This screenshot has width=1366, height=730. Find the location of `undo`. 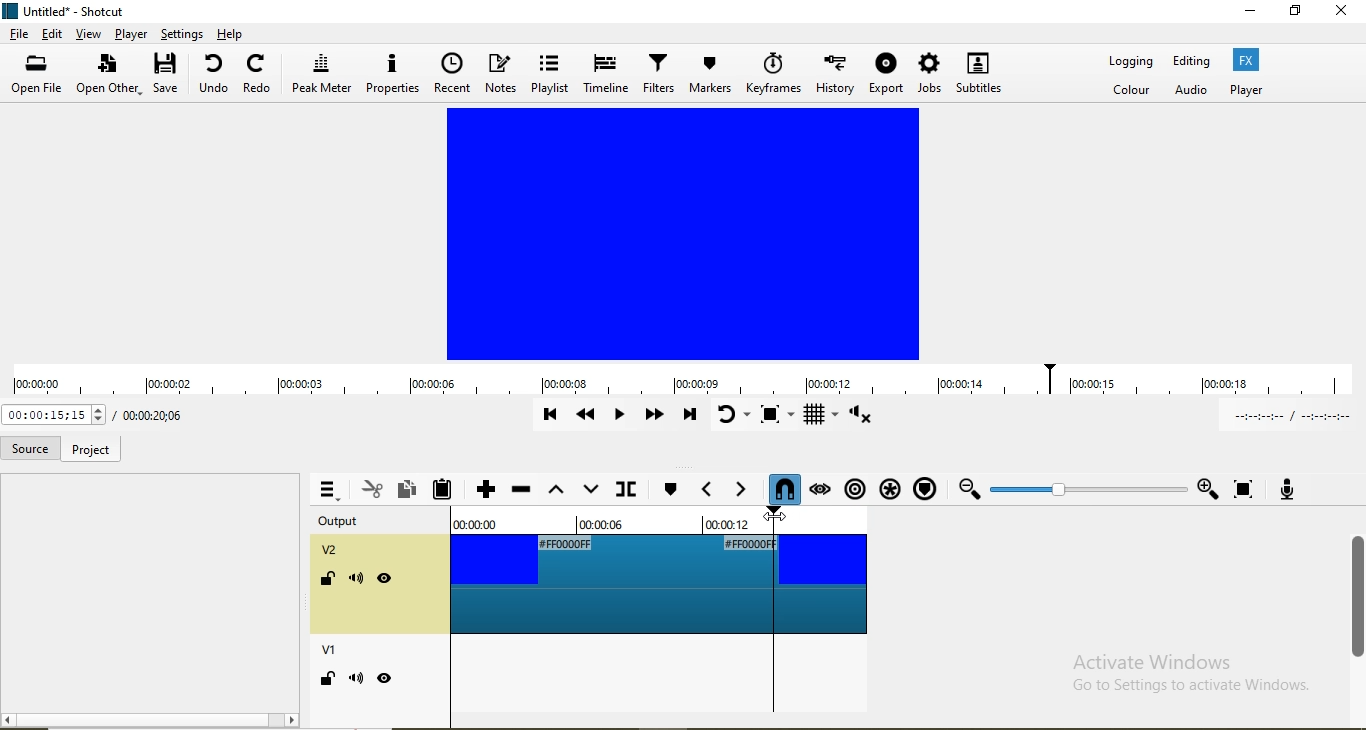

undo is located at coordinates (216, 73).